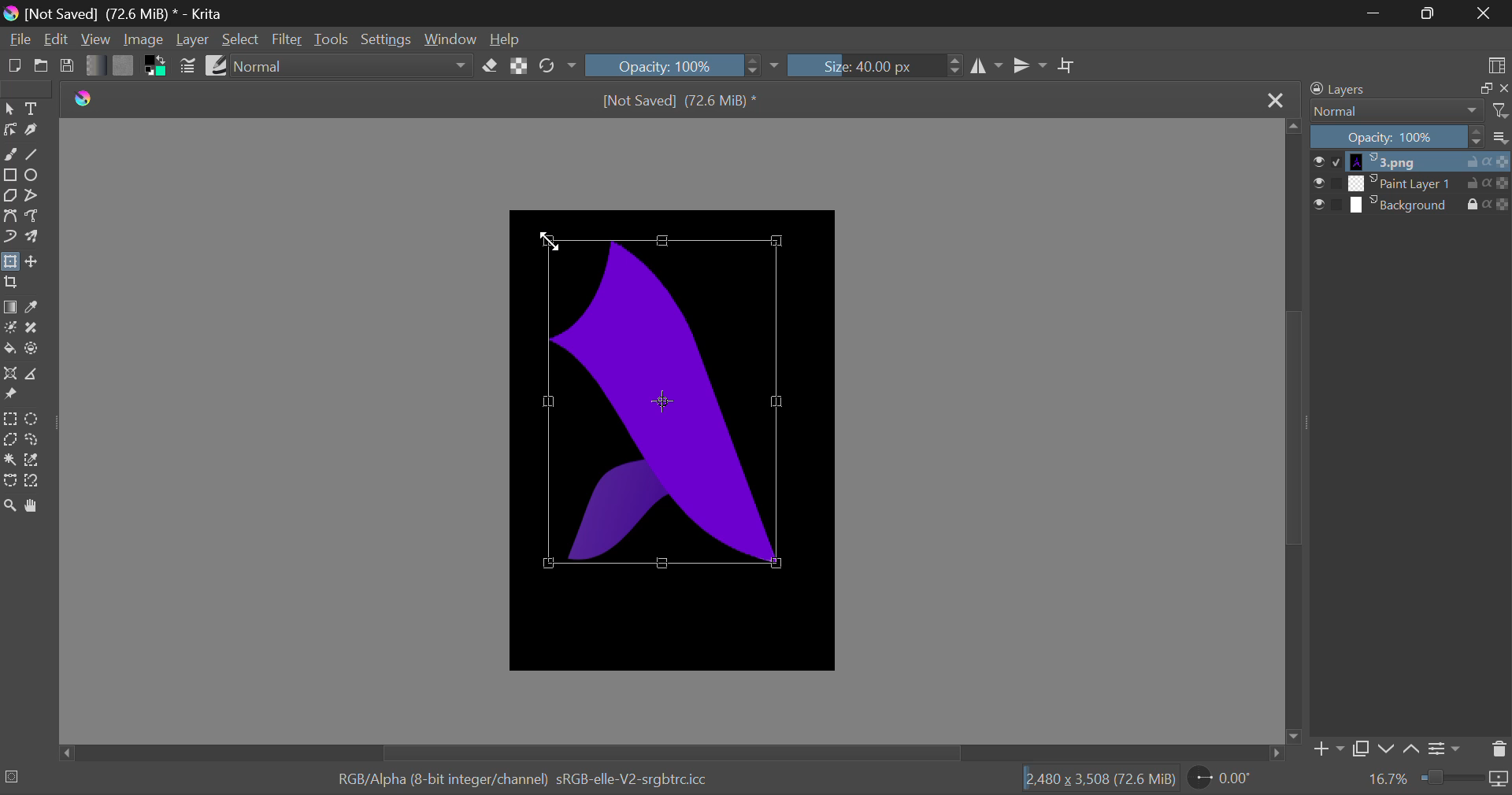 Image resolution: width=1512 pixels, height=795 pixels. What do you see at coordinates (35, 239) in the screenshot?
I see `Multibrush Tool` at bounding box center [35, 239].